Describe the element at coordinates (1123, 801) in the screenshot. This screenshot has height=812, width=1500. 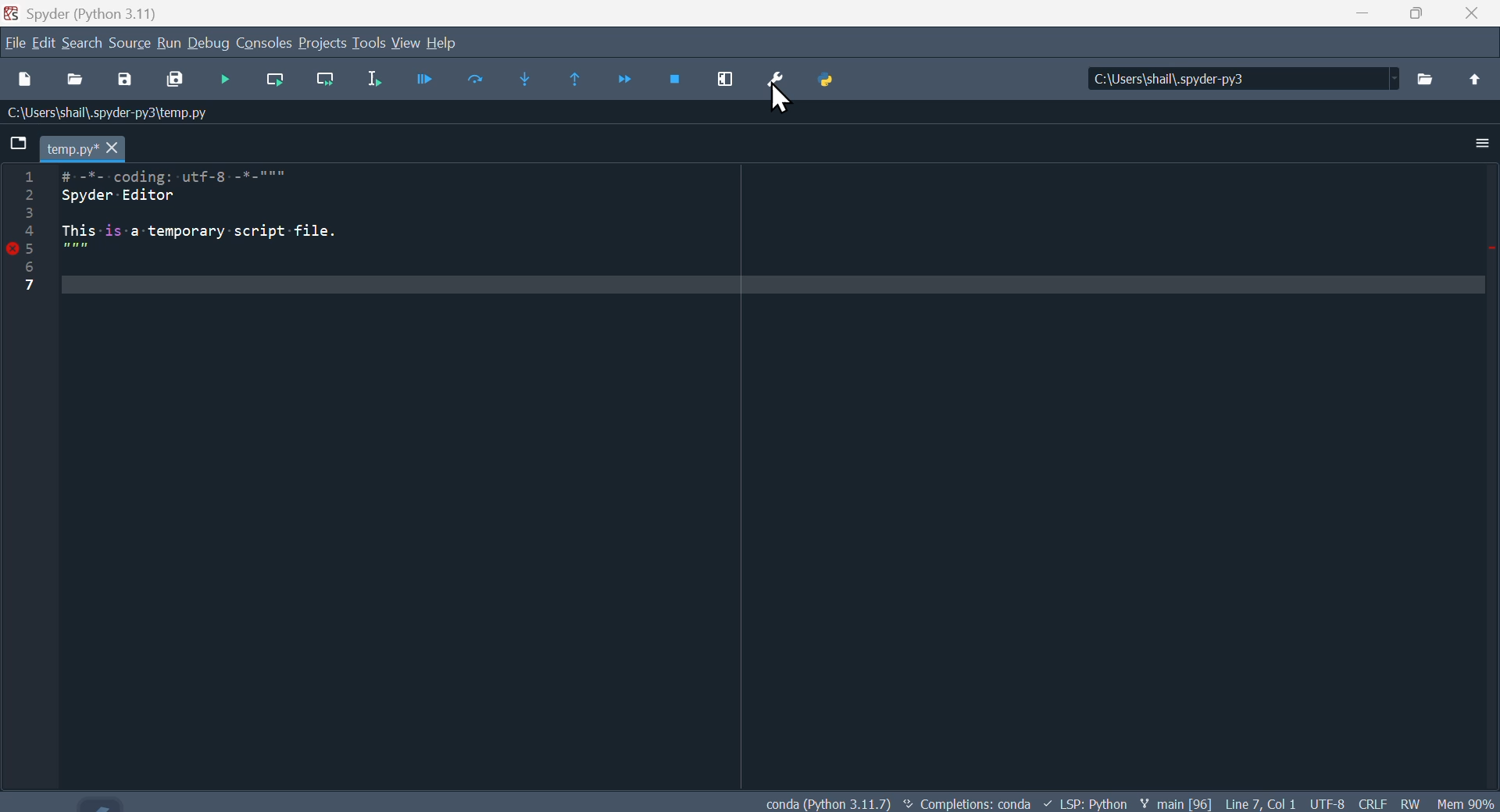
I see `conda (Python 3.11.7) < Completions: conda + LSP: Python ¥ main[96] Line7 Coll UTF8 CRLF RW Mi` at that location.